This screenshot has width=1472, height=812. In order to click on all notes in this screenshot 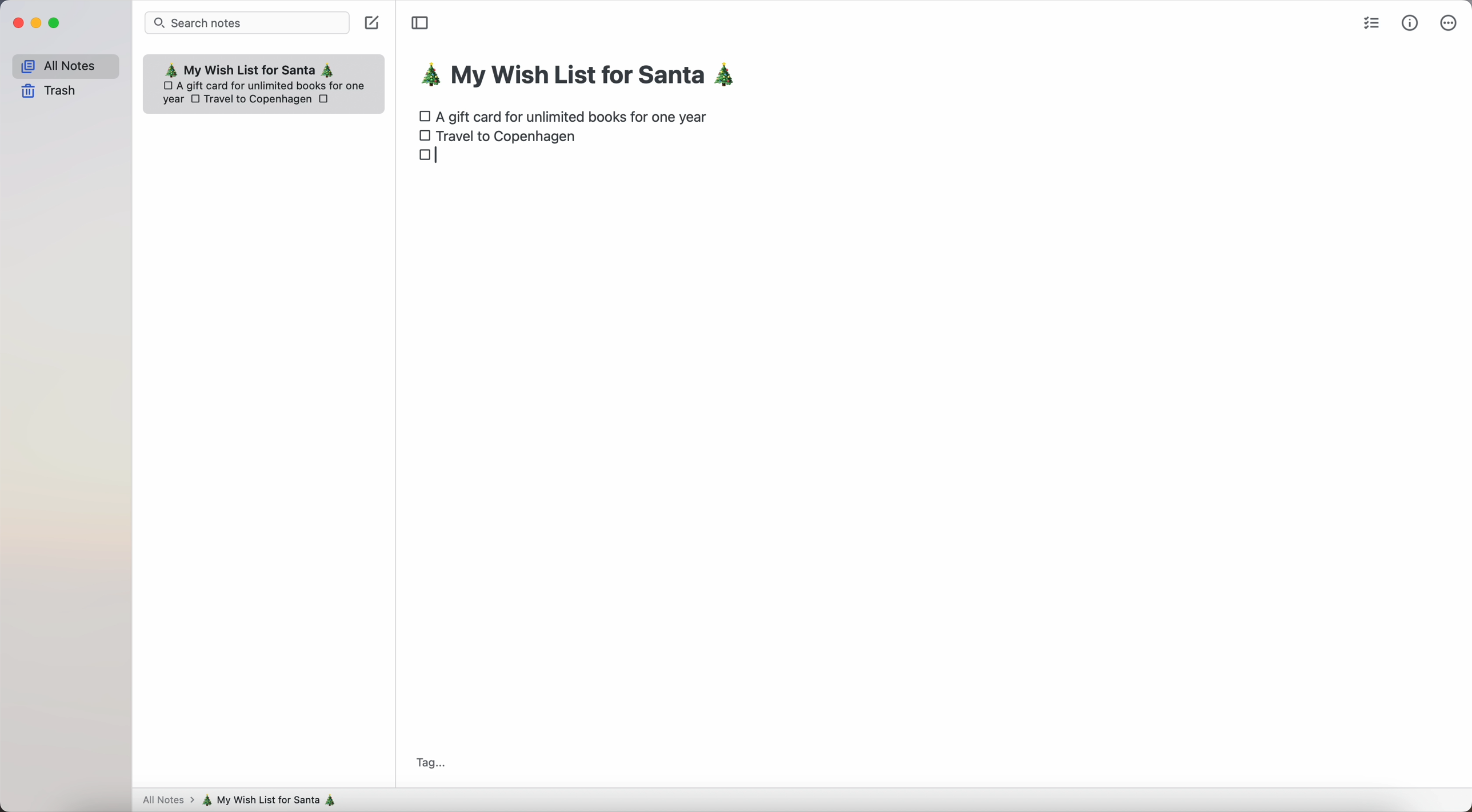, I will do `click(65, 64)`.